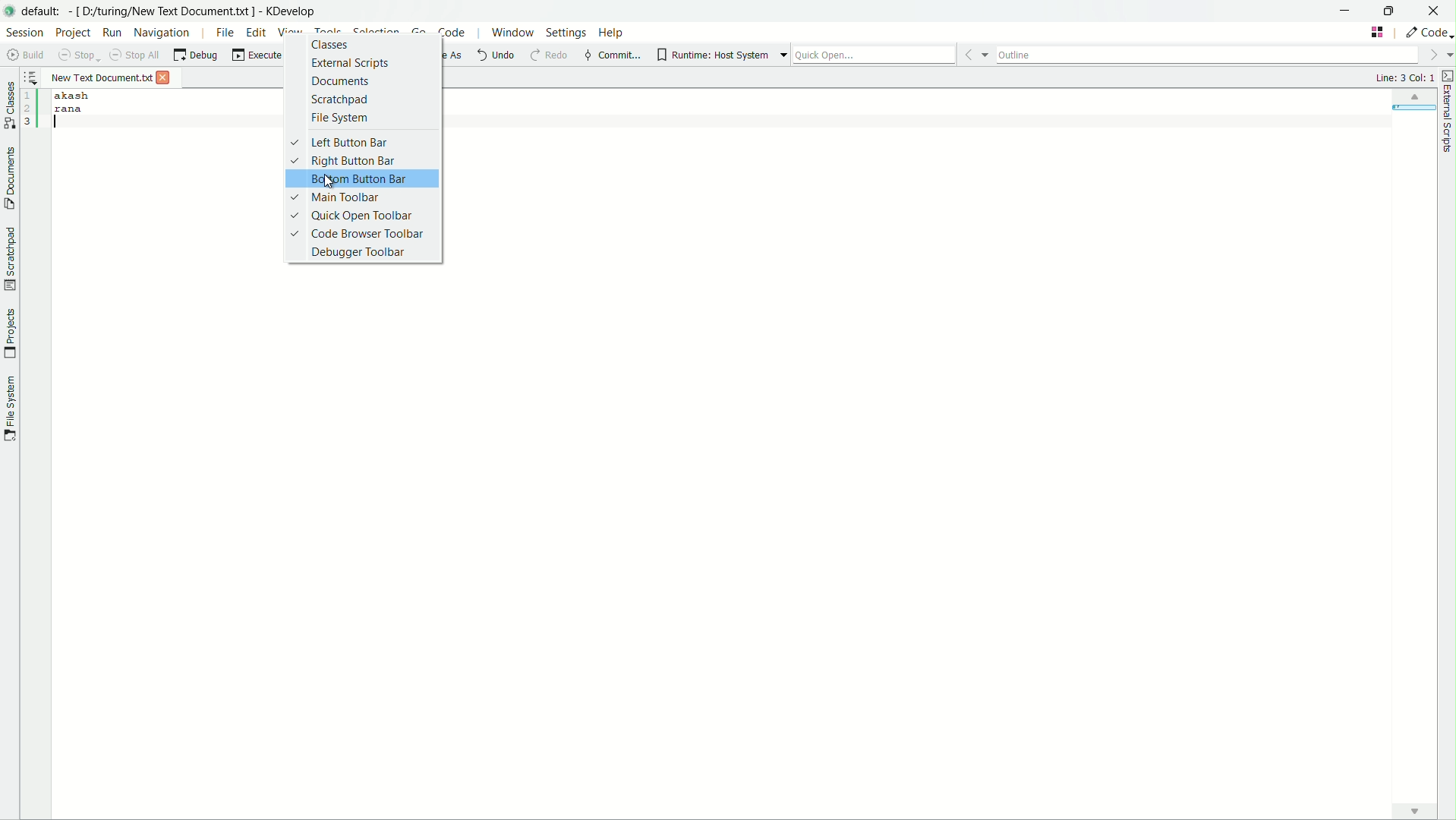 This screenshot has width=1456, height=820. I want to click on scratchpad, so click(340, 99).